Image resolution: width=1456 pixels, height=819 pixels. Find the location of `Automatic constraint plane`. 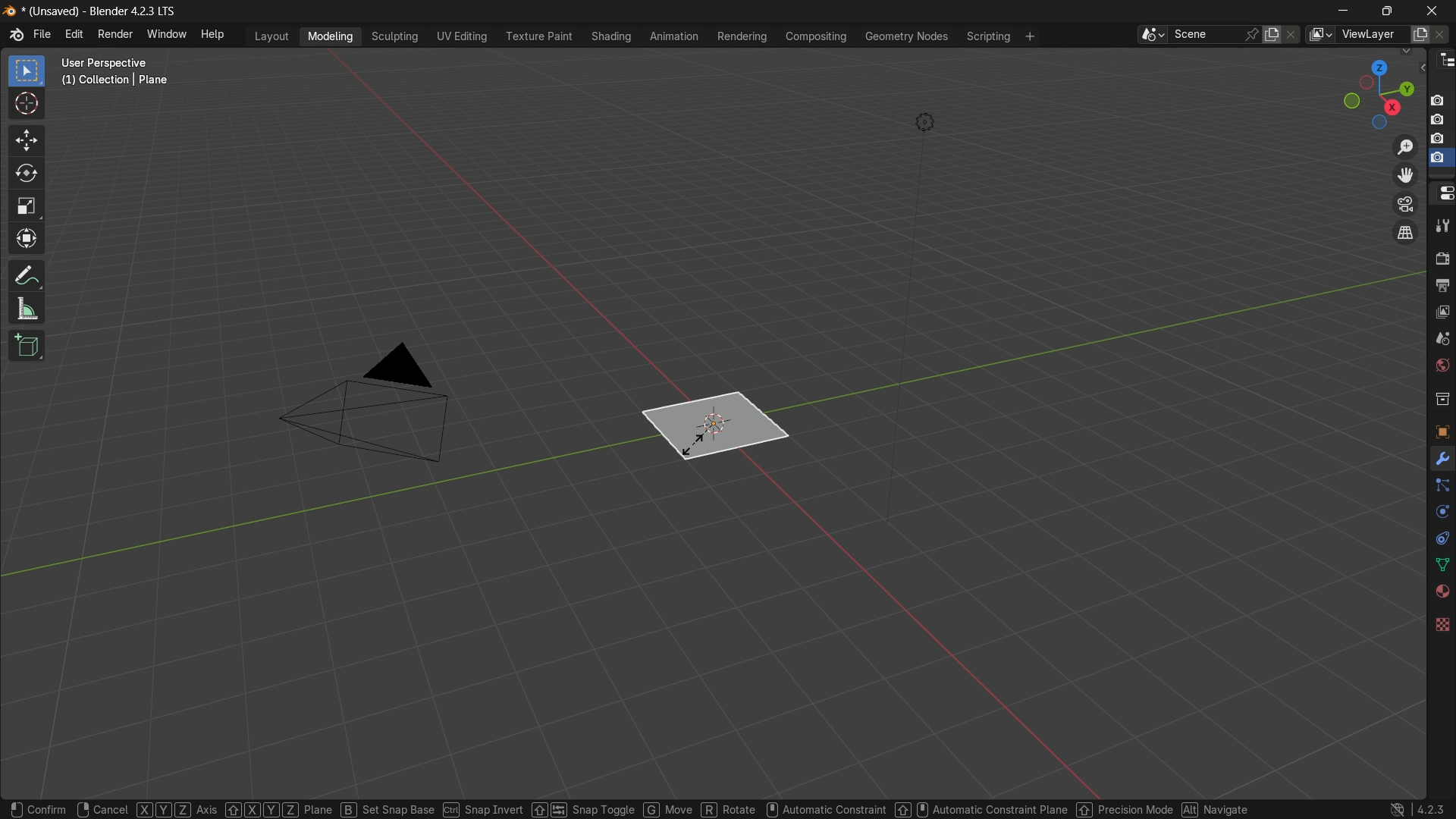

Automatic constraint plane is located at coordinates (981, 802).